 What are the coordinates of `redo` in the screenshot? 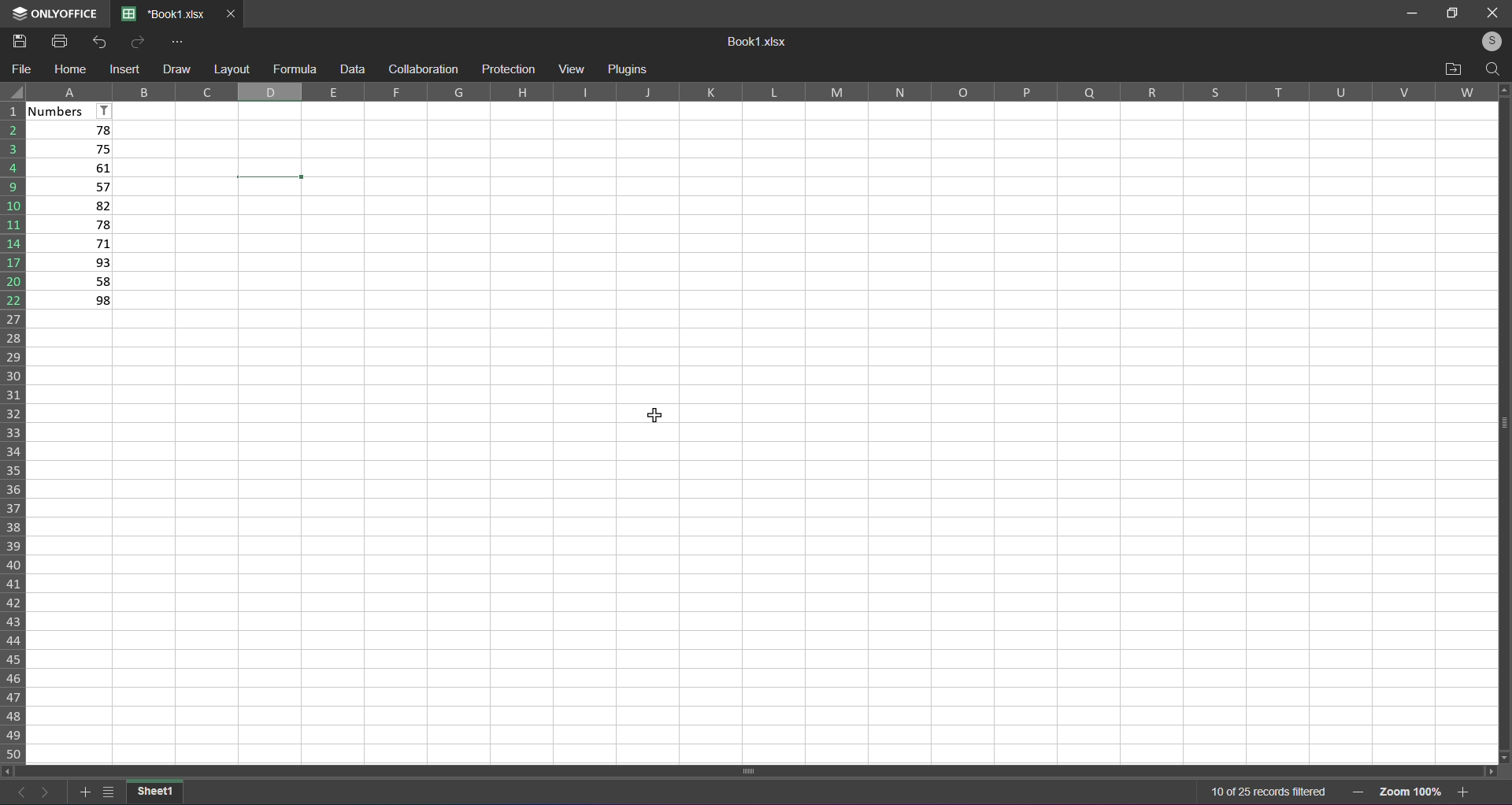 It's located at (135, 42).